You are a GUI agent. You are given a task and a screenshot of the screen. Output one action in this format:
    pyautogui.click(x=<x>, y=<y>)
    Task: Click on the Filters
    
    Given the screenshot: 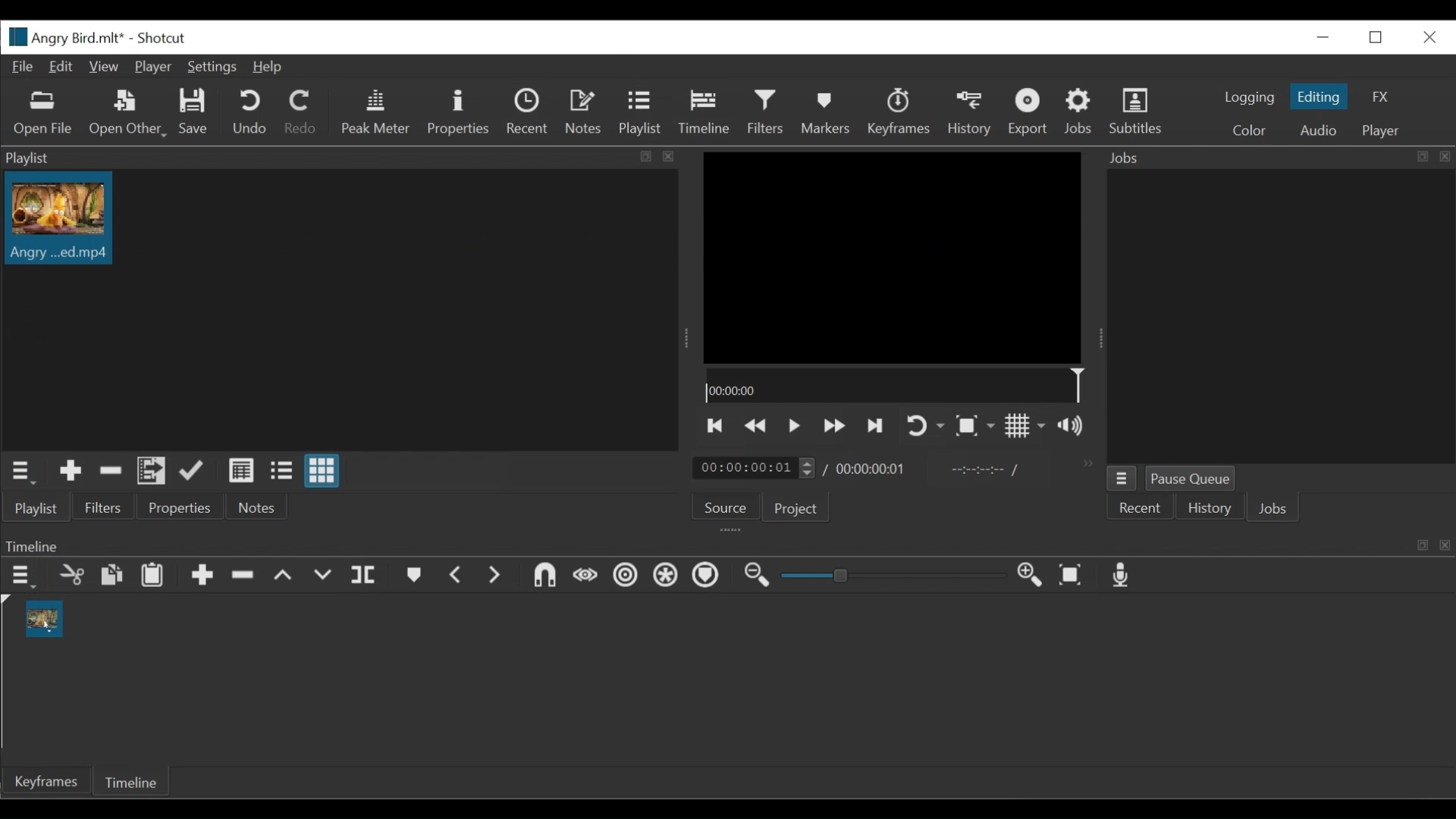 What is the action you would take?
    pyautogui.click(x=767, y=112)
    